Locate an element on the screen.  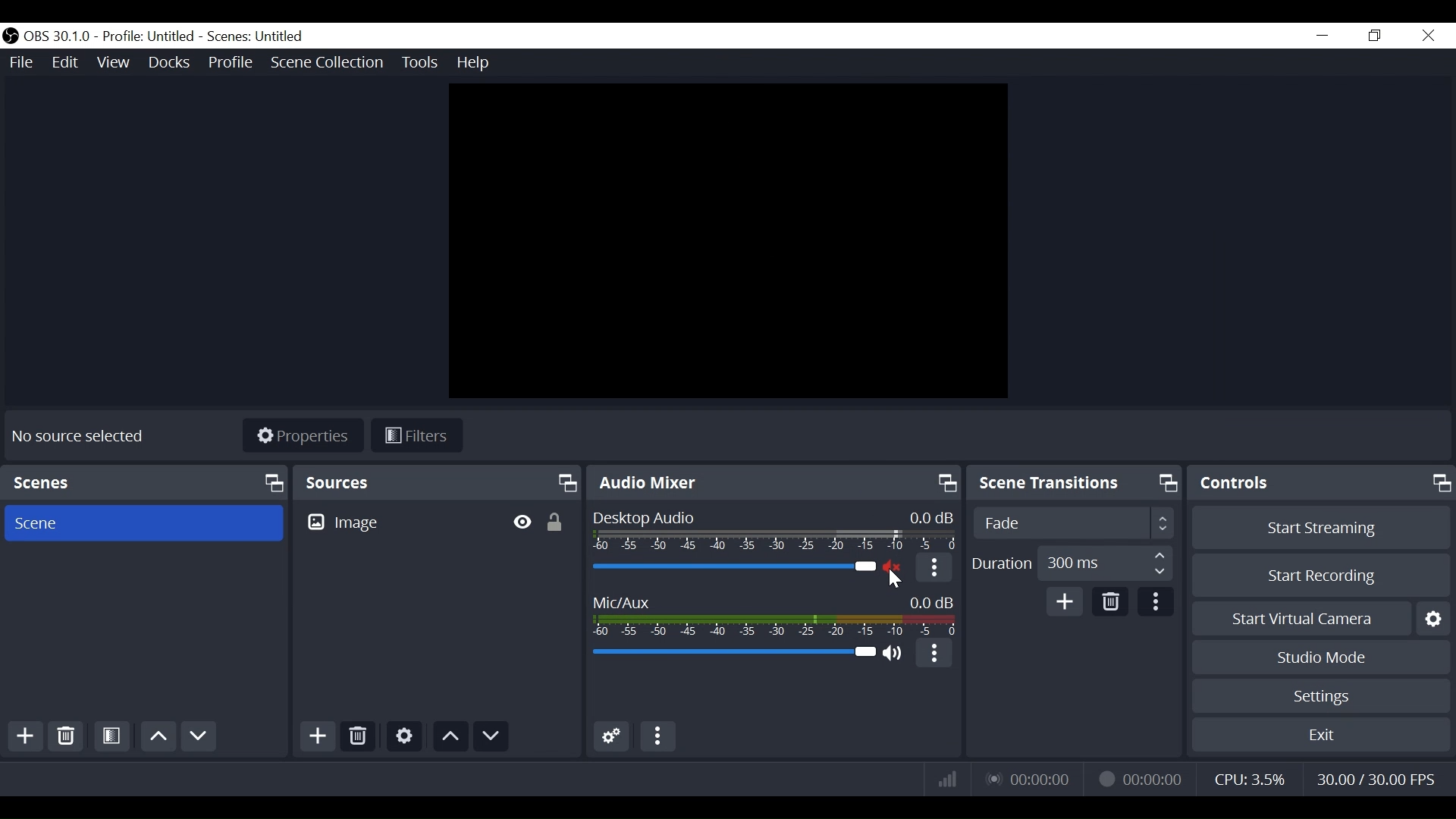
Live Status is located at coordinates (1031, 777).